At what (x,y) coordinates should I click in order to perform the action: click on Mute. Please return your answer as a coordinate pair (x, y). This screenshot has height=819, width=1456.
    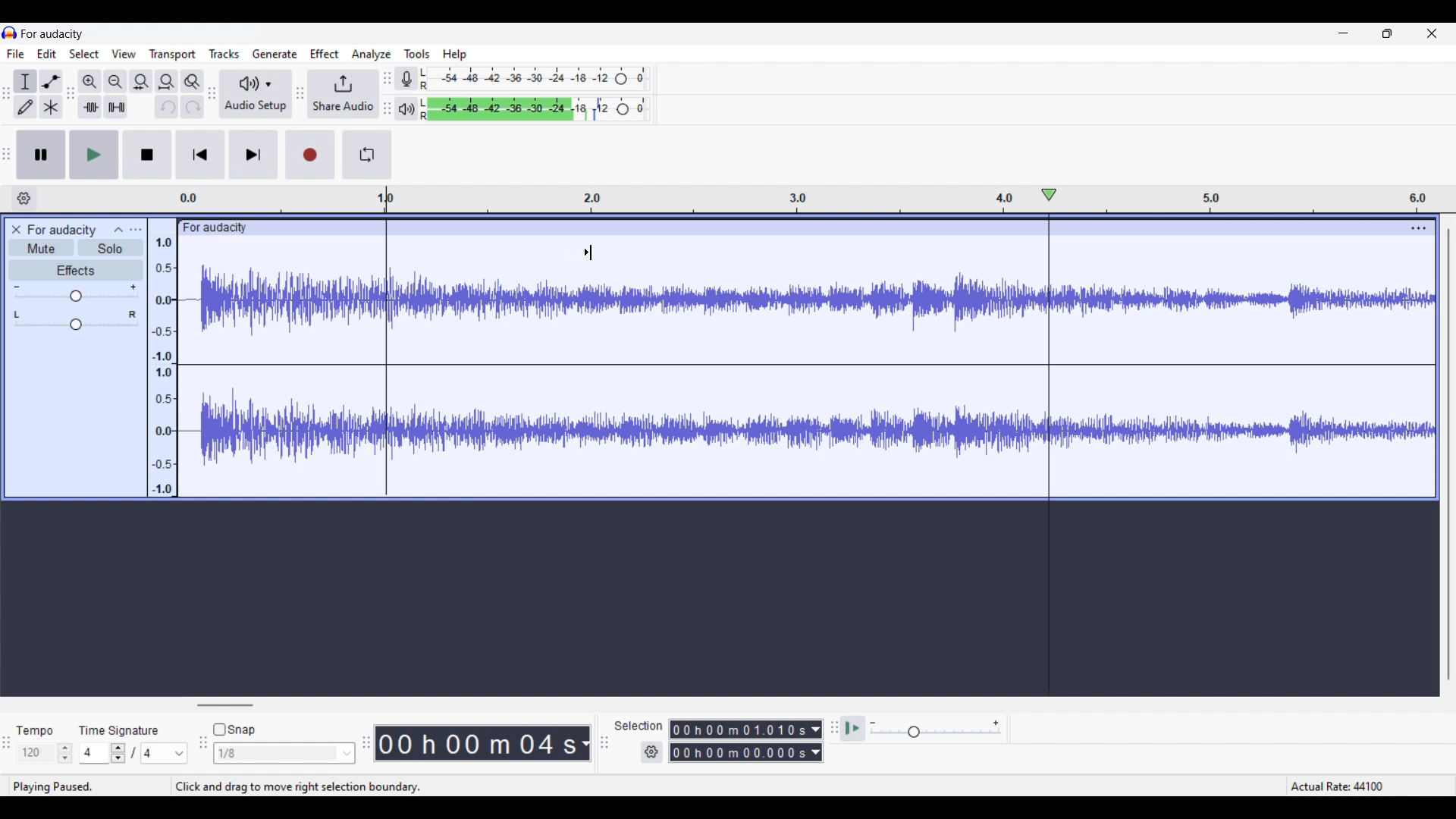
    Looking at the image, I should click on (40, 249).